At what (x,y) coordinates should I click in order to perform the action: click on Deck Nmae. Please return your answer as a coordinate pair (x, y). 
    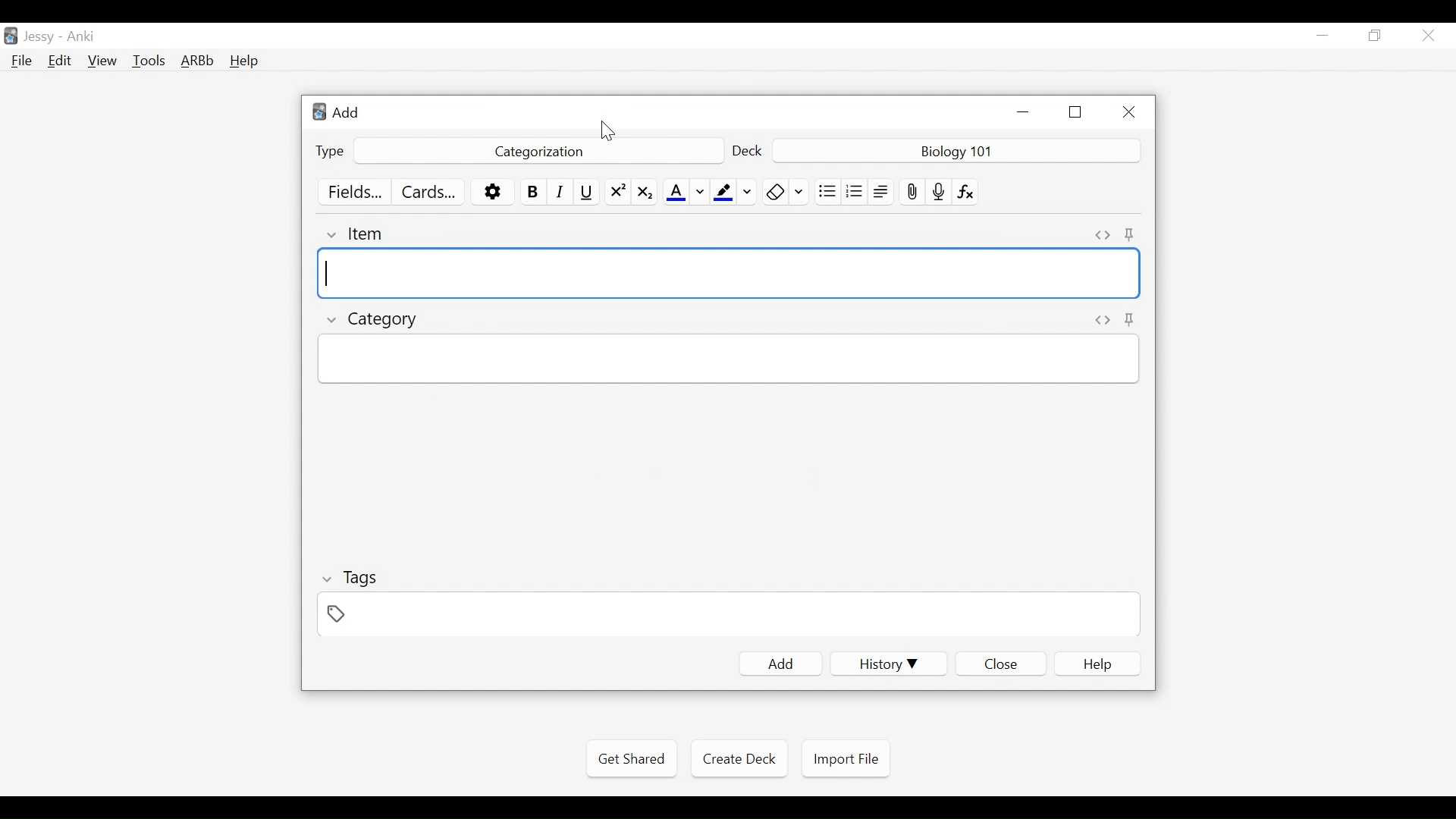
    Looking at the image, I should click on (958, 152).